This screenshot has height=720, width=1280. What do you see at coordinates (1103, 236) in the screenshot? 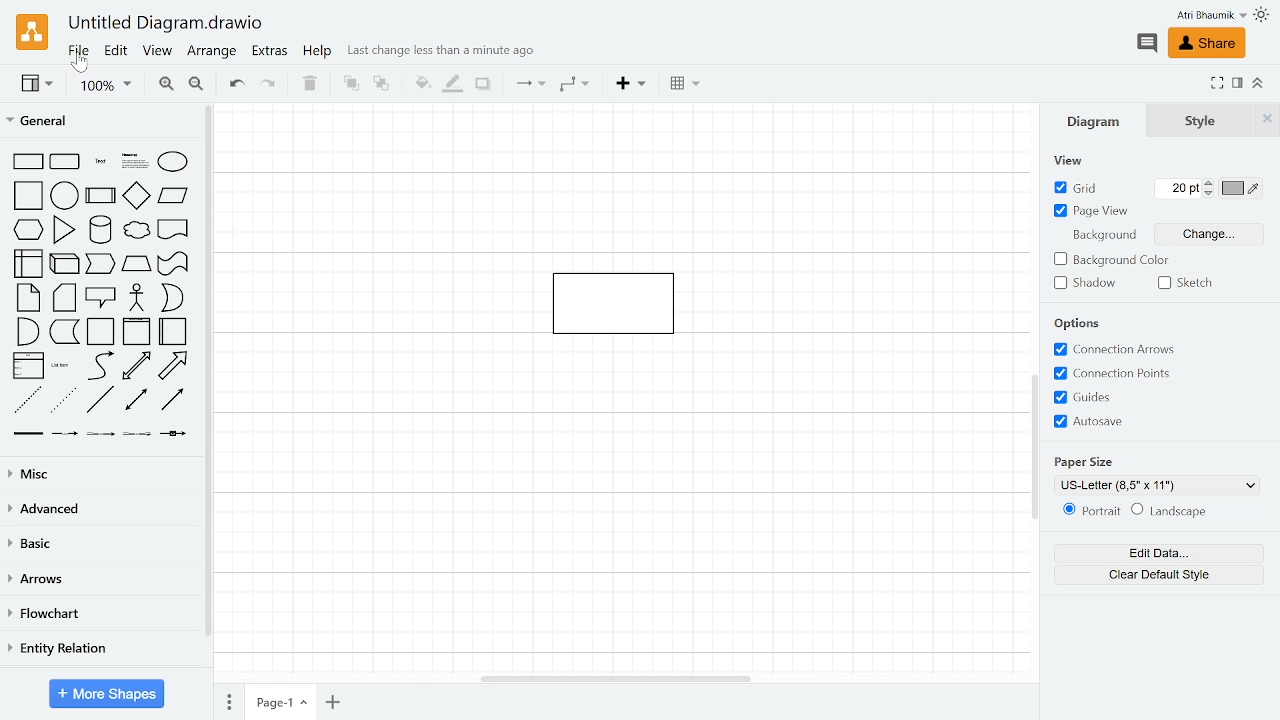
I see `Background` at bounding box center [1103, 236].